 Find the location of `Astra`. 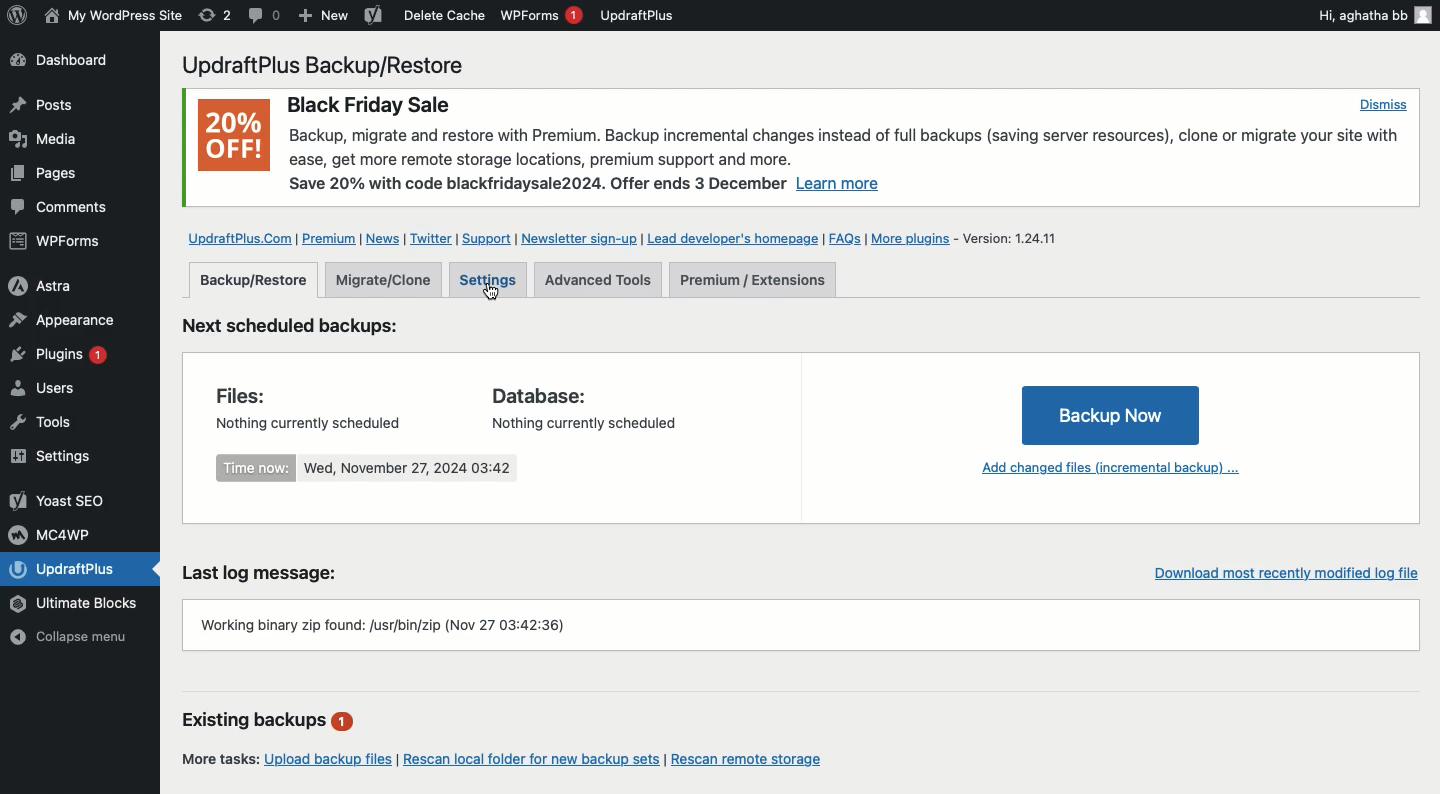

Astra is located at coordinates (57, 284).